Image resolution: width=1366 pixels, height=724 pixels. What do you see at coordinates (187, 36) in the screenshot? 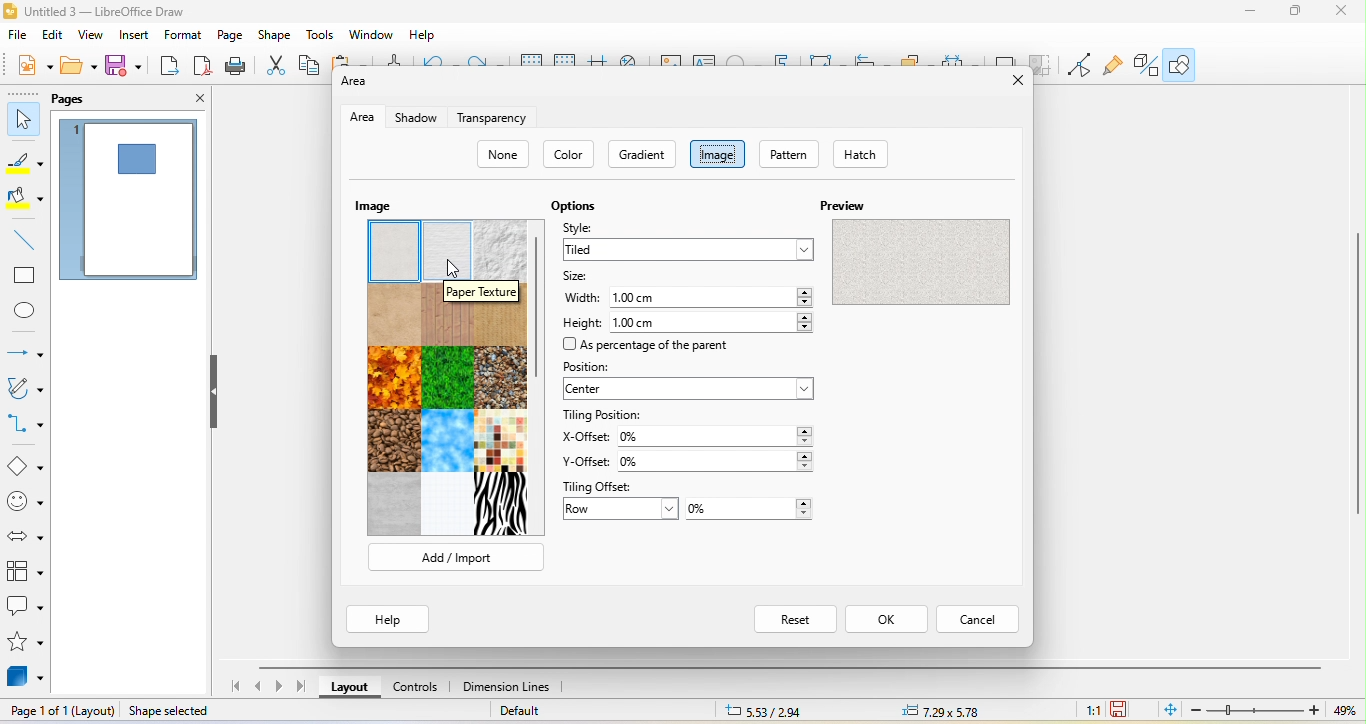
I see `format` at bounding box center [187, 36].